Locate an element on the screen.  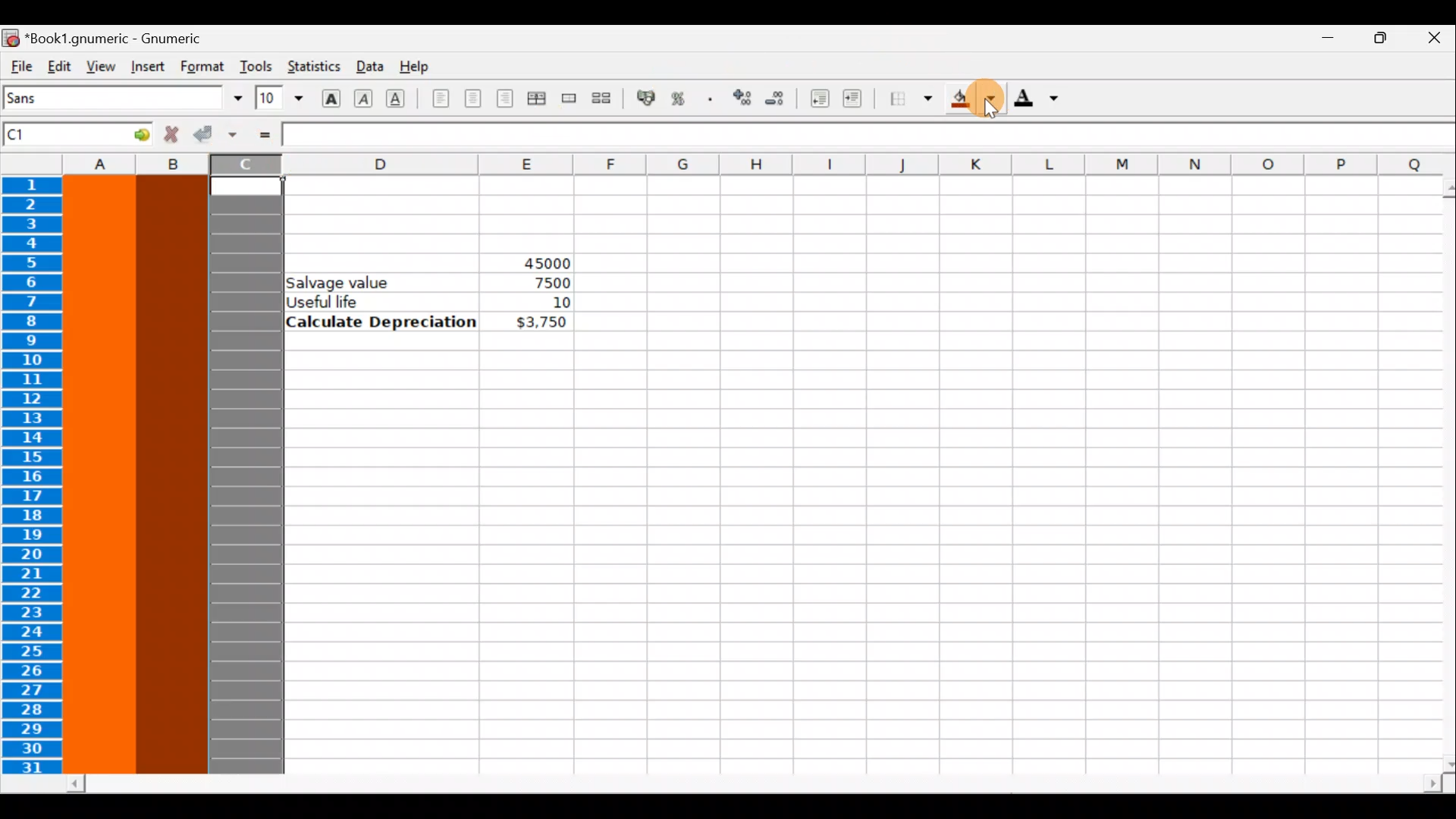
Decrease indent, align contents to the left is located at coordinates (815, 99).